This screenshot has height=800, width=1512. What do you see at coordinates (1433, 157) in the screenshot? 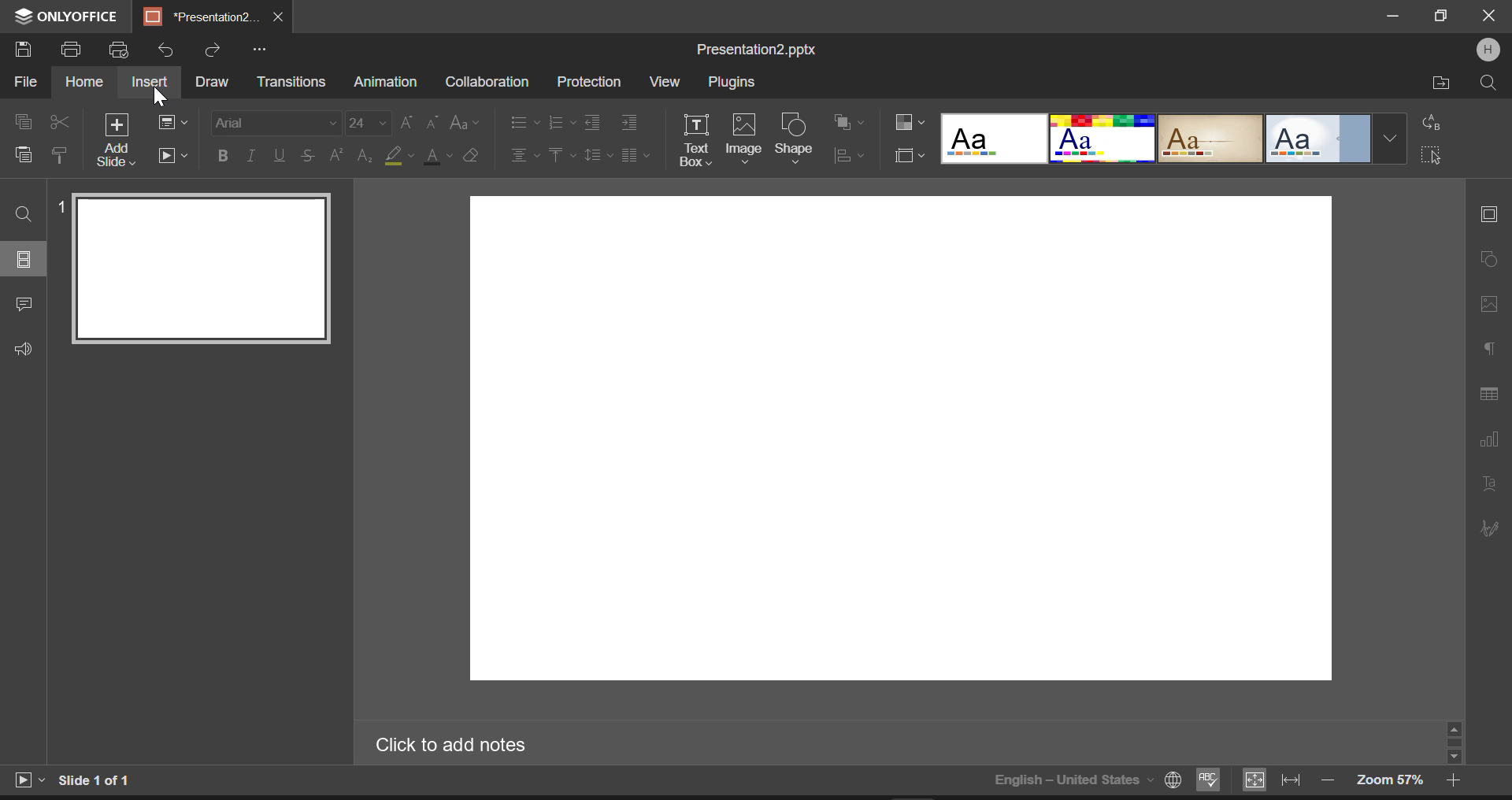
I see `Select All` at bounding box center [1433, 157].